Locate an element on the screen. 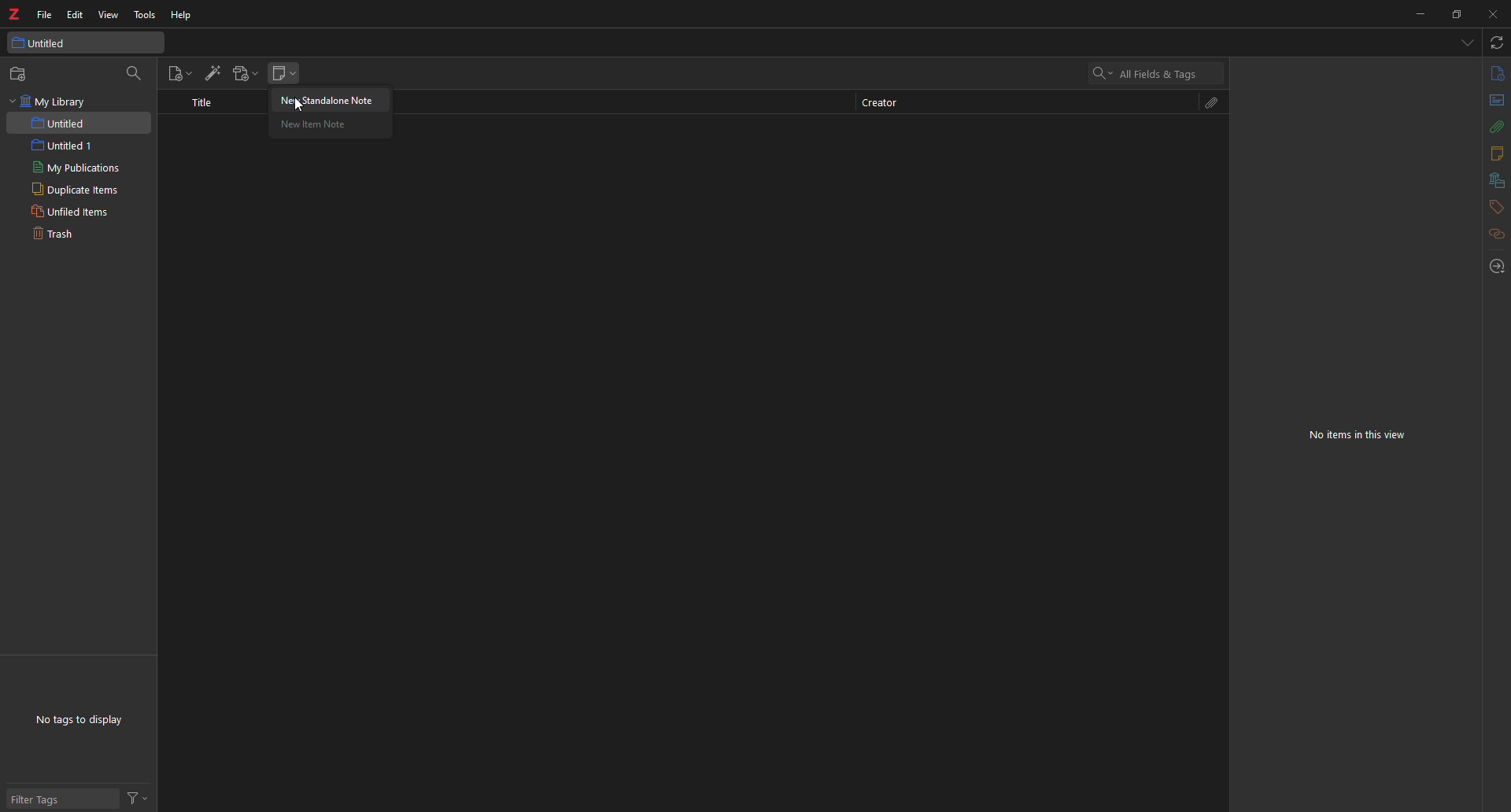 Image resolution: width=1511 pixels, height=812 pixels. new collection is located at coordinates (21, 73).